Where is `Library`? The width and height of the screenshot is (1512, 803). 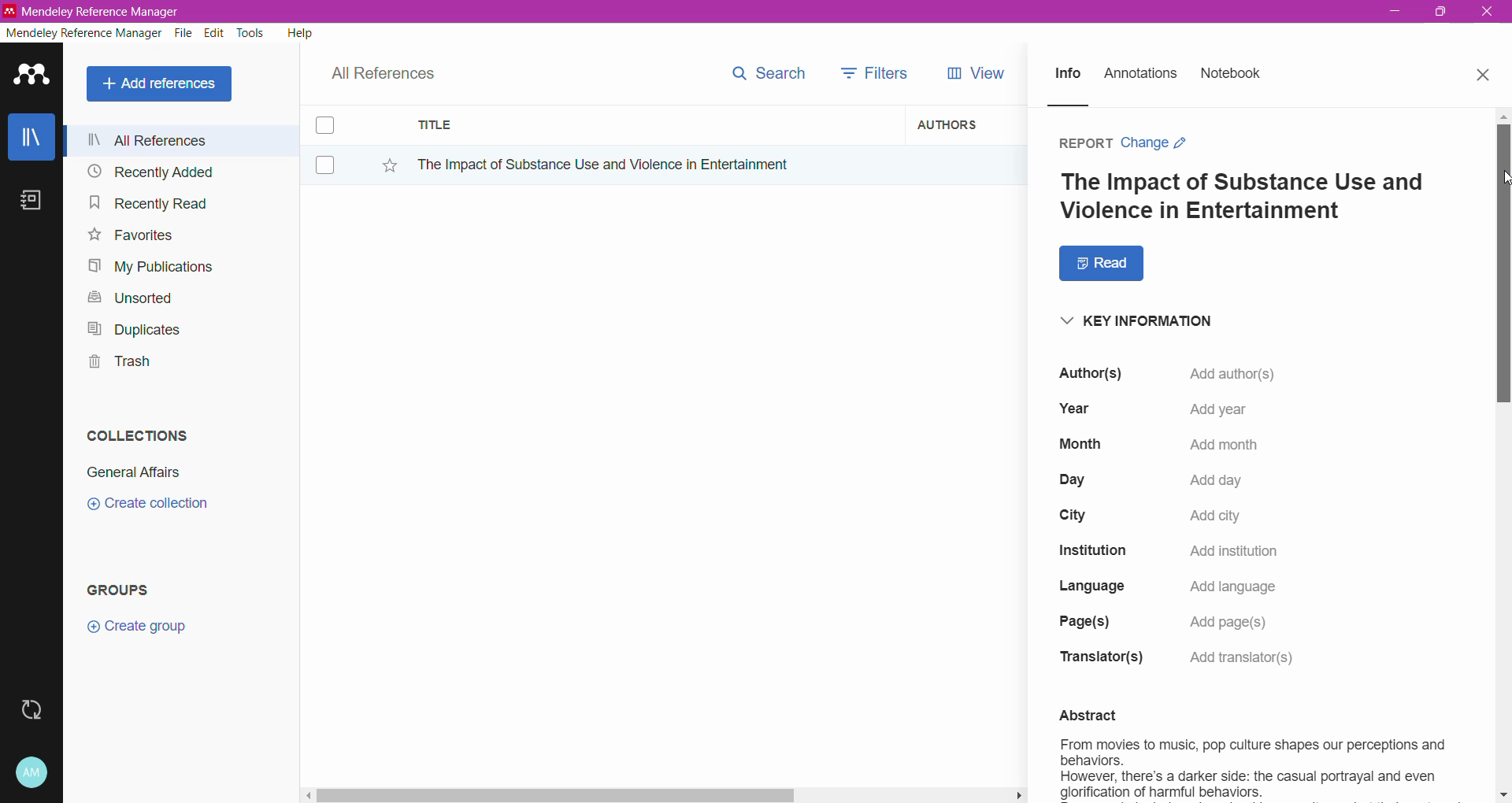 Library is located at coordinates (31, 139).